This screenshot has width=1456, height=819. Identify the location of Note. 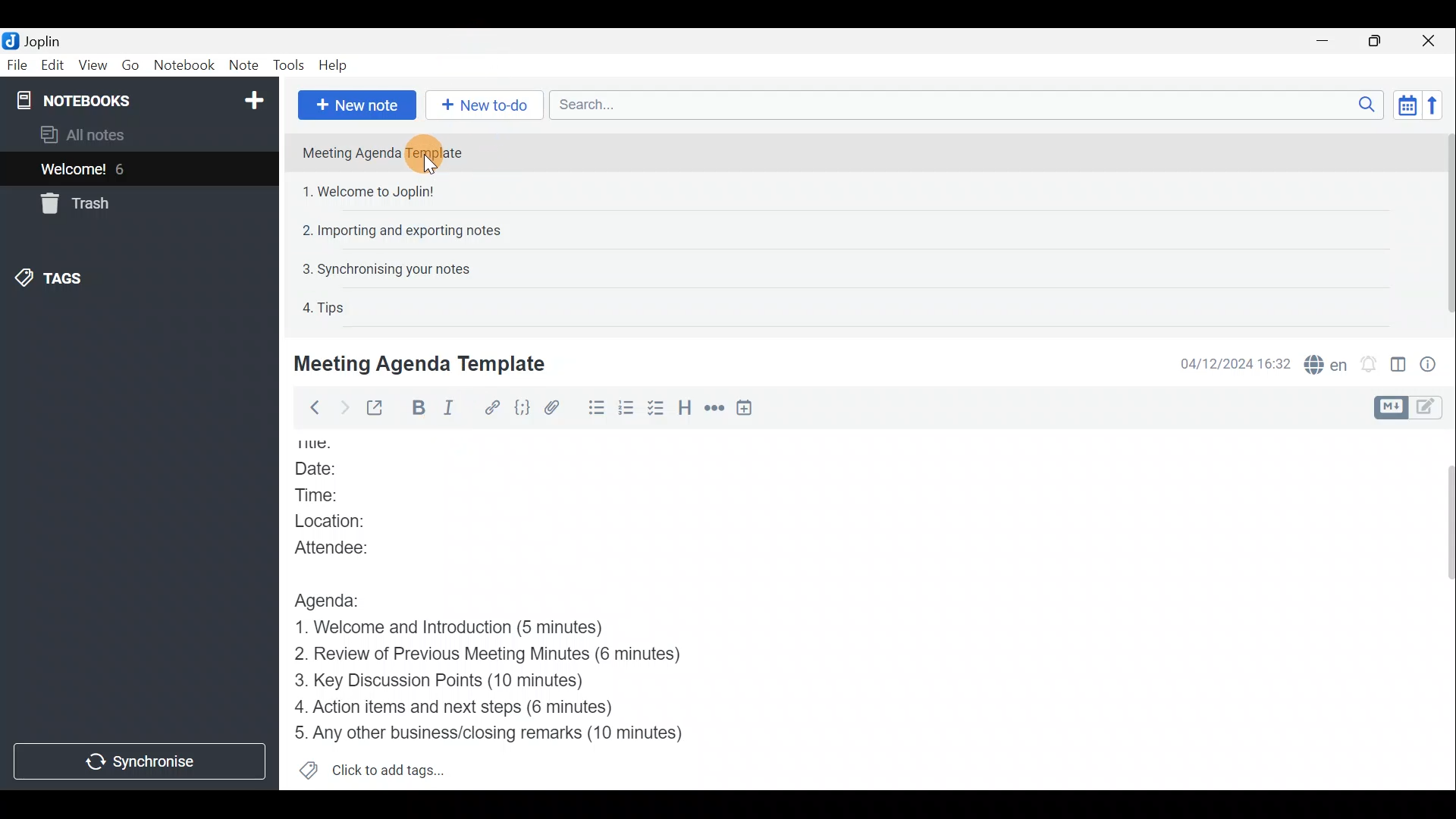
(242, 62).